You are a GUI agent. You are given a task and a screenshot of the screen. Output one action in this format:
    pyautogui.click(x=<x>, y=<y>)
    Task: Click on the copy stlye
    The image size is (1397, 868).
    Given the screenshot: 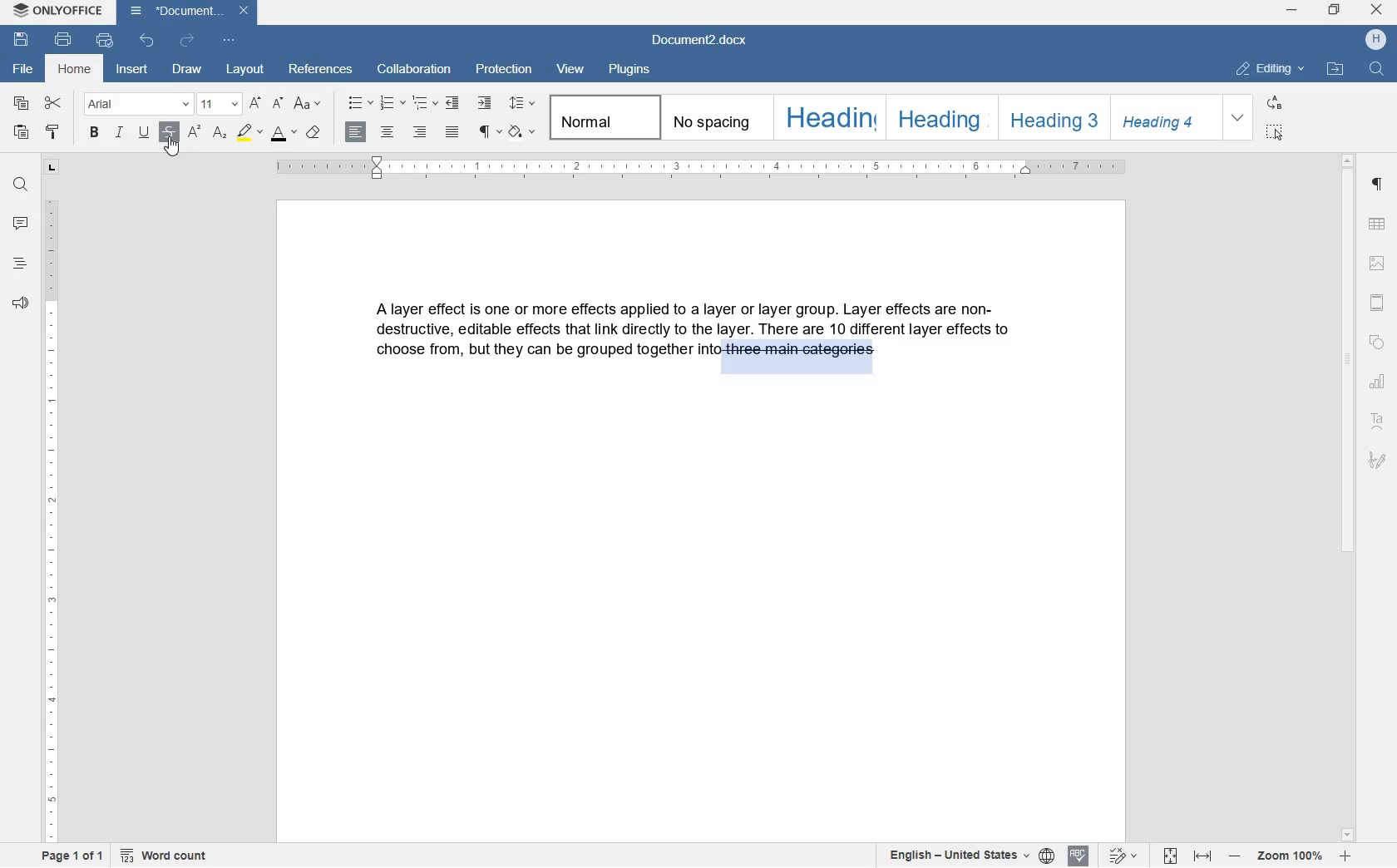 What is the action you would take?
    pyautogui.click(x=52, y=133)
    